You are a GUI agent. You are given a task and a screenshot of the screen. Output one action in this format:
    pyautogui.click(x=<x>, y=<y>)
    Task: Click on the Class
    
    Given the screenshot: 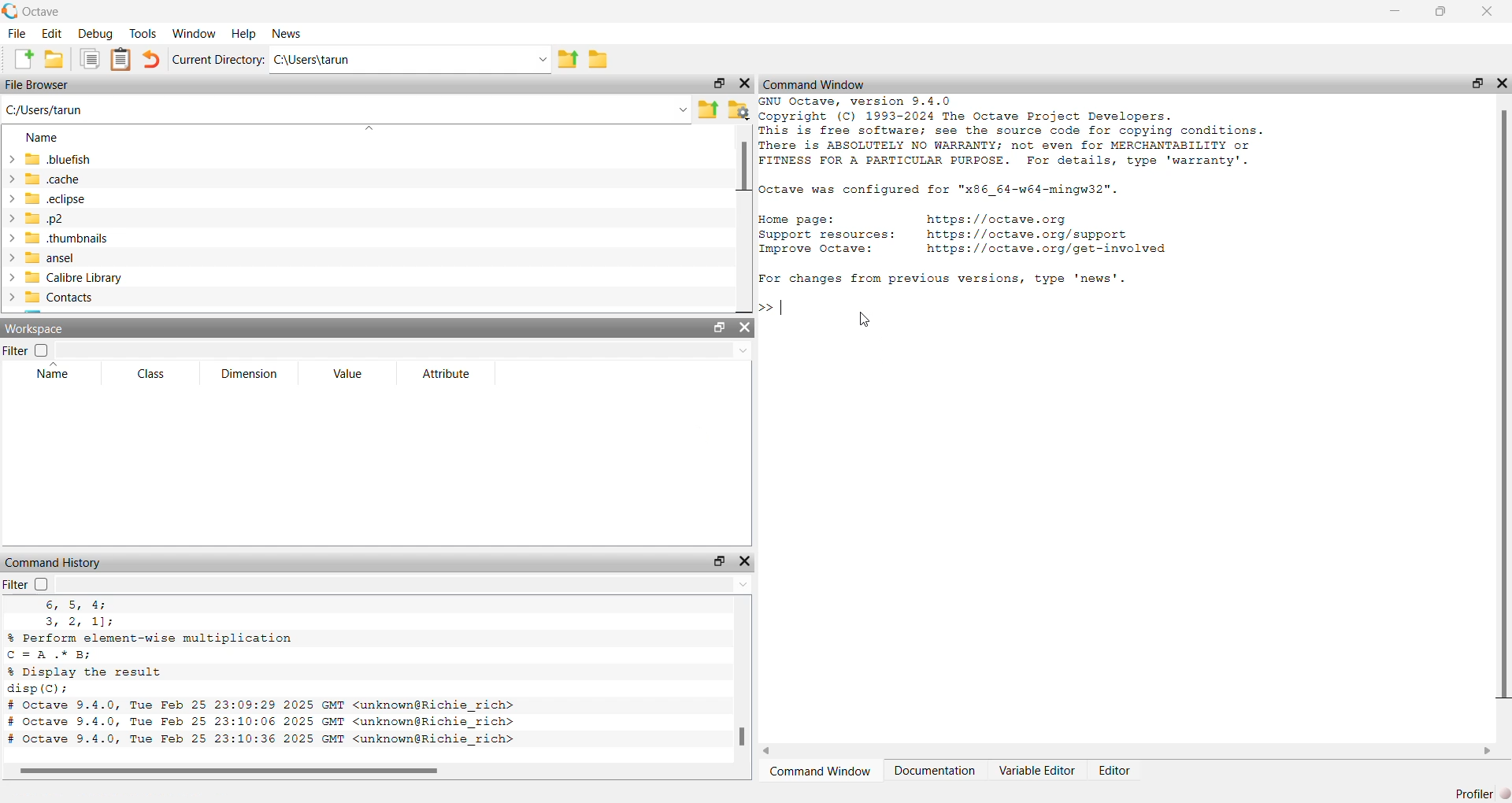 What is the action you would take?
    pyautogui.click(x=153, y=373)
    